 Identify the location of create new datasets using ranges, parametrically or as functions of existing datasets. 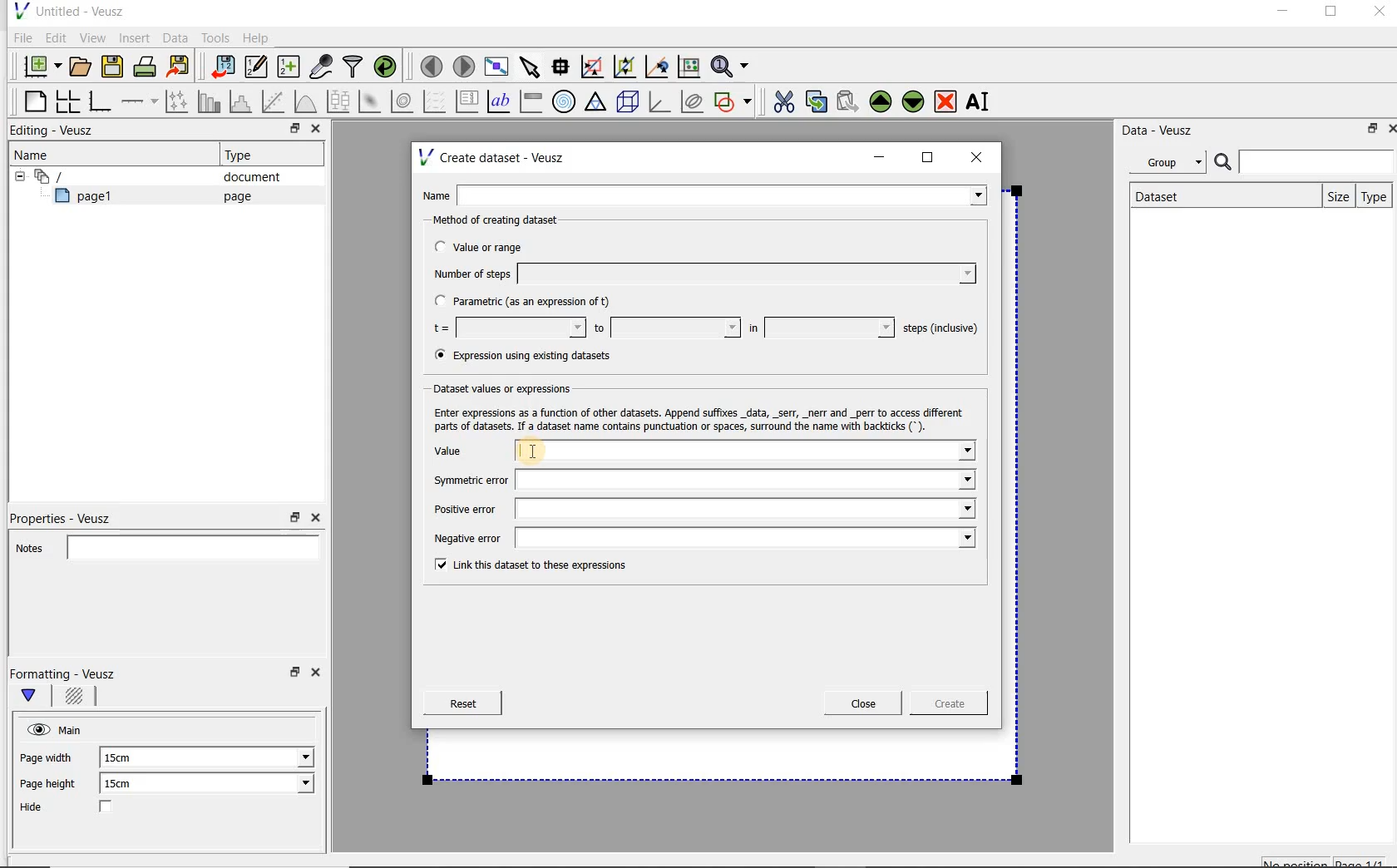
(289, 67).